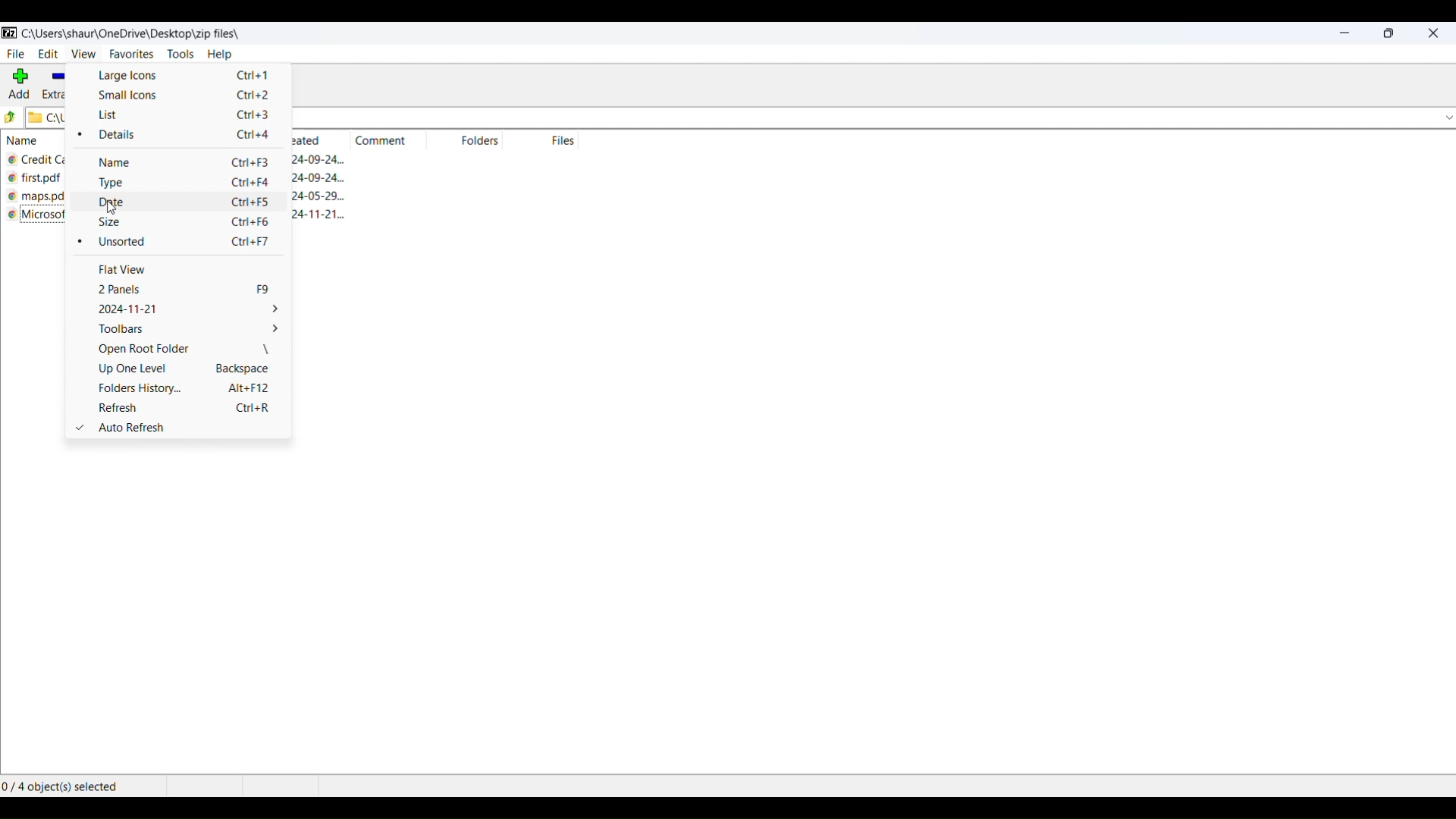 This screenshot has height=819, width=1456. I want to click on creation date, so click(317, 178).